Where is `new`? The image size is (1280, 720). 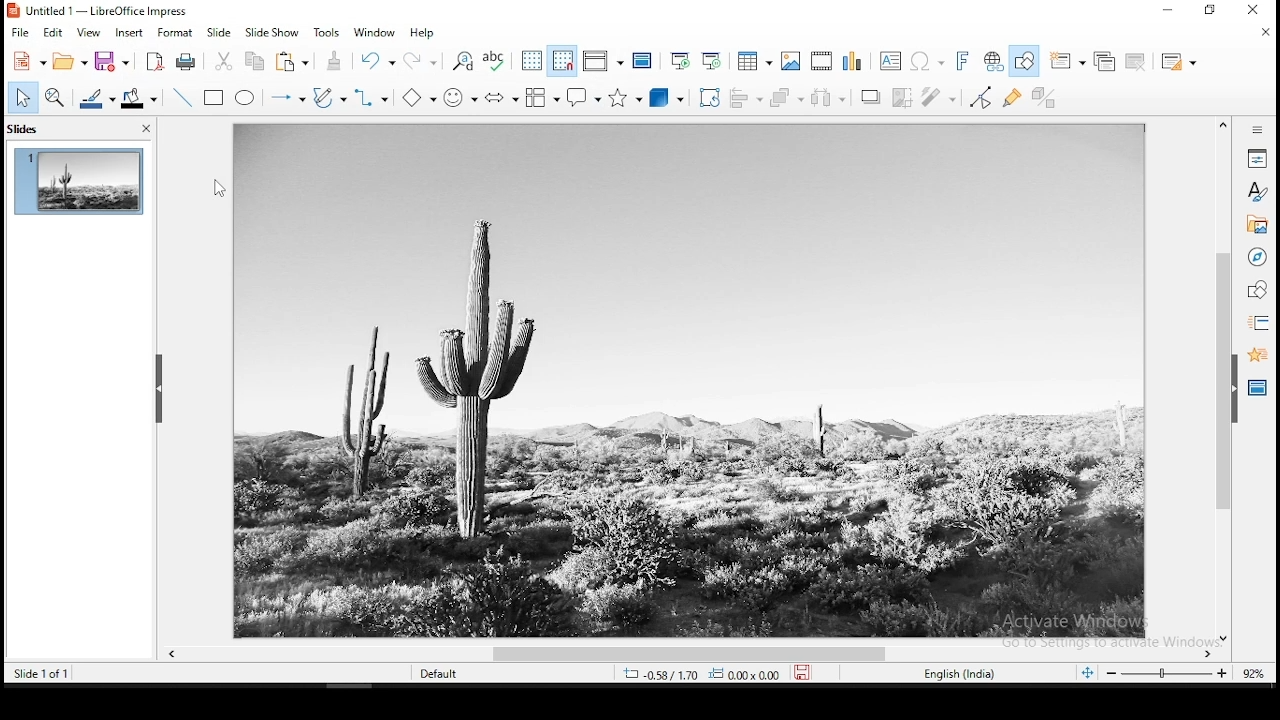 new is located at coordinates (26, 62).